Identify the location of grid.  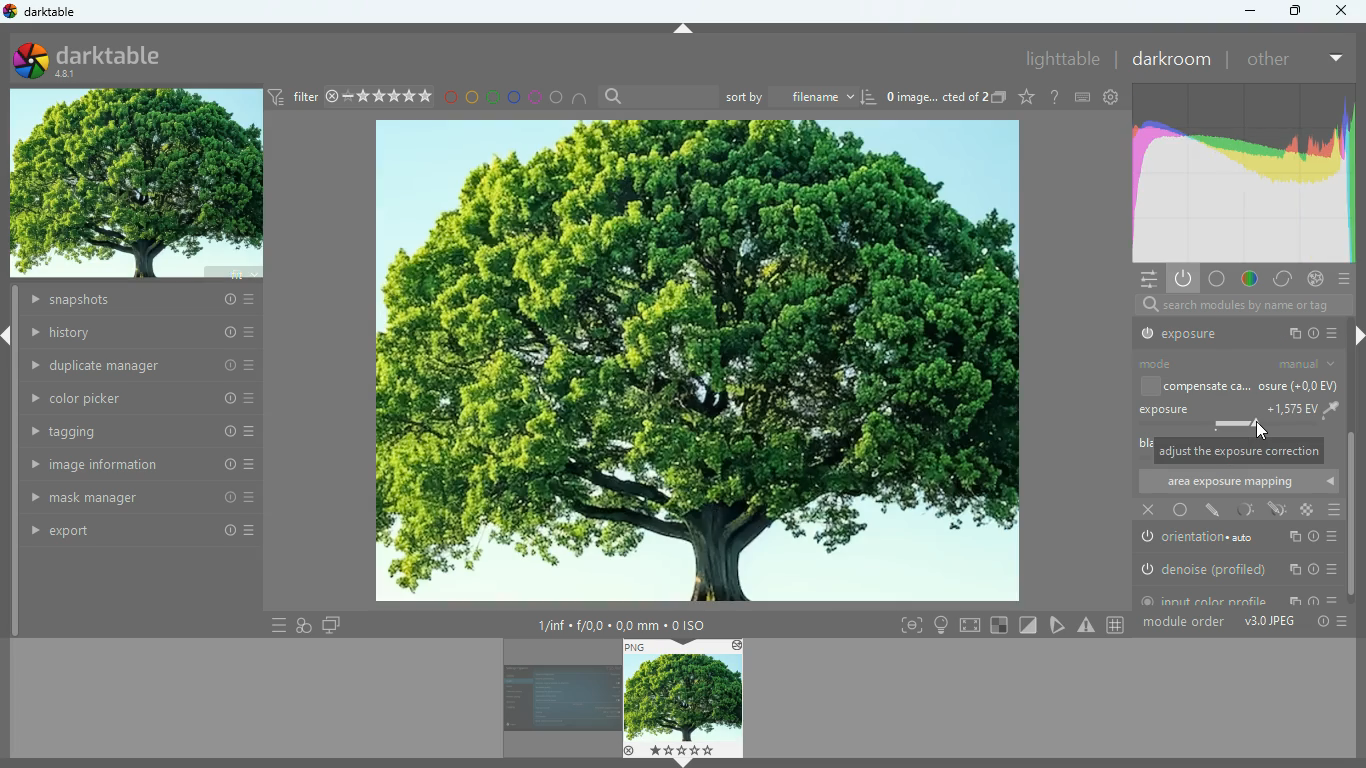
(1116, 622).